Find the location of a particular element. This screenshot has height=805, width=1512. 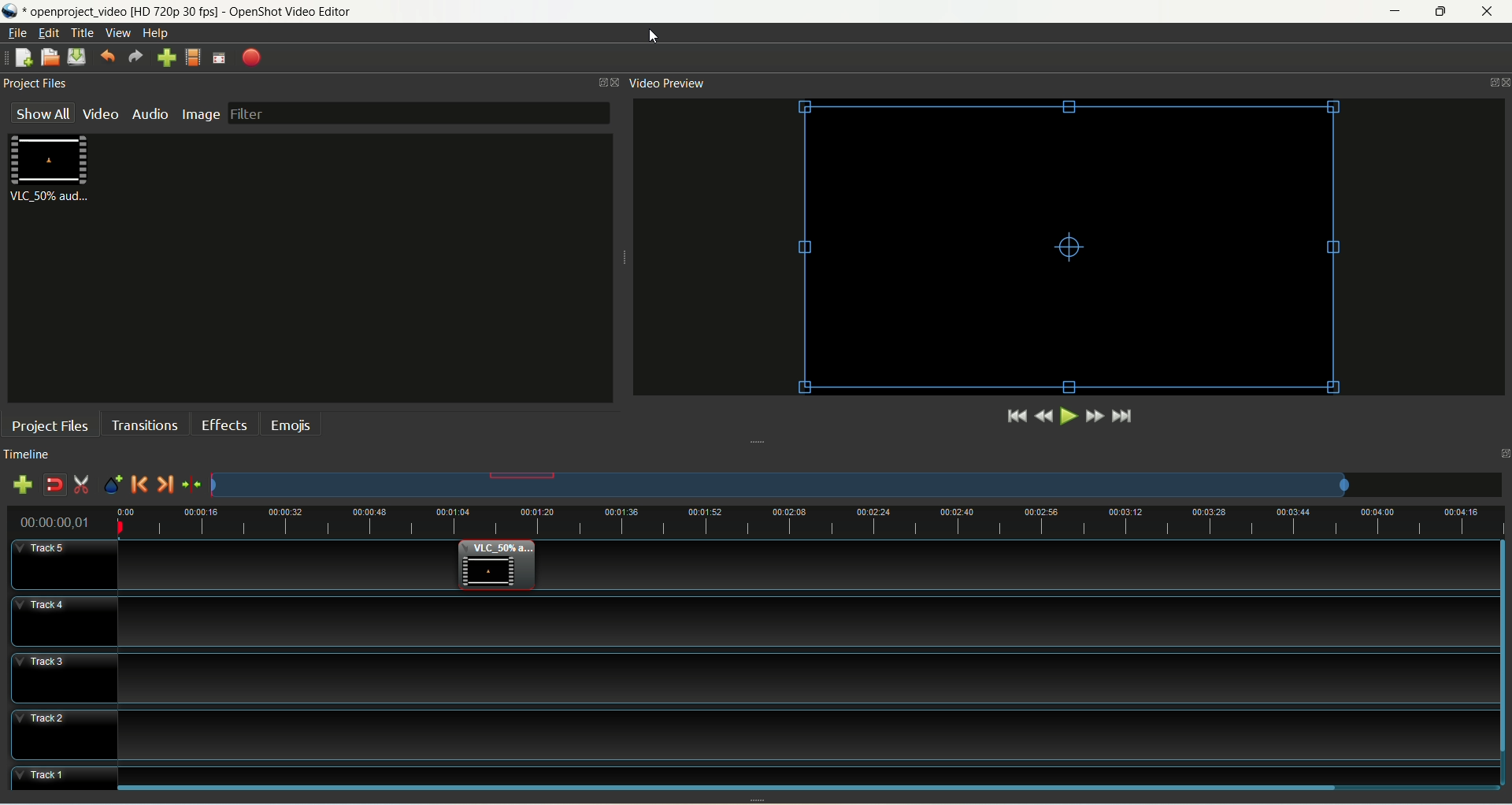

emojis is located at coordinates (289, 424).